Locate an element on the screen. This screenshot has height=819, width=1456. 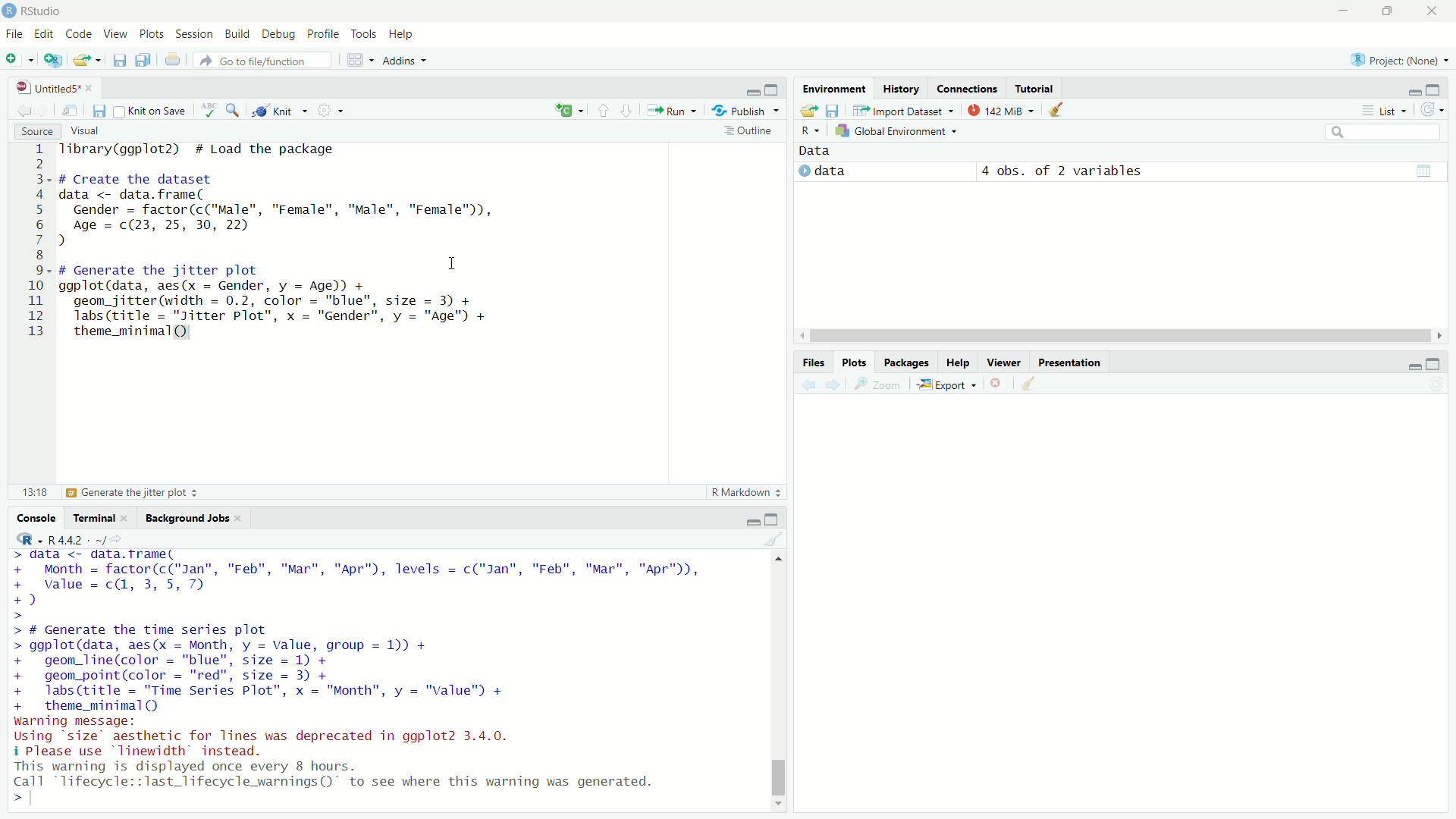
profile is located at coordinates (325, 33).